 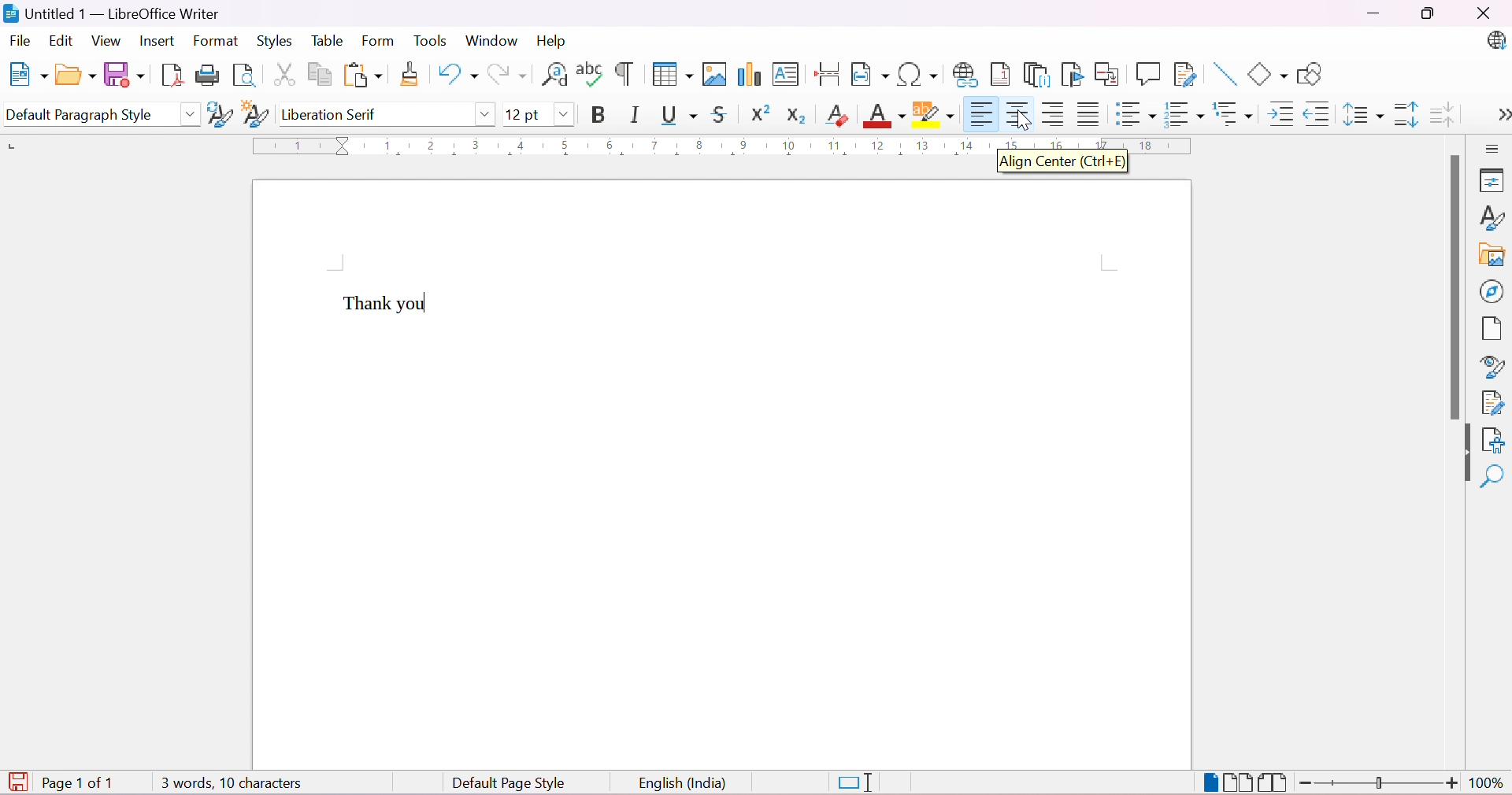 What do you see at coordinates (555, 79) in the screenshot?
I see `Find and Replace` at bounding box center [555, 79].